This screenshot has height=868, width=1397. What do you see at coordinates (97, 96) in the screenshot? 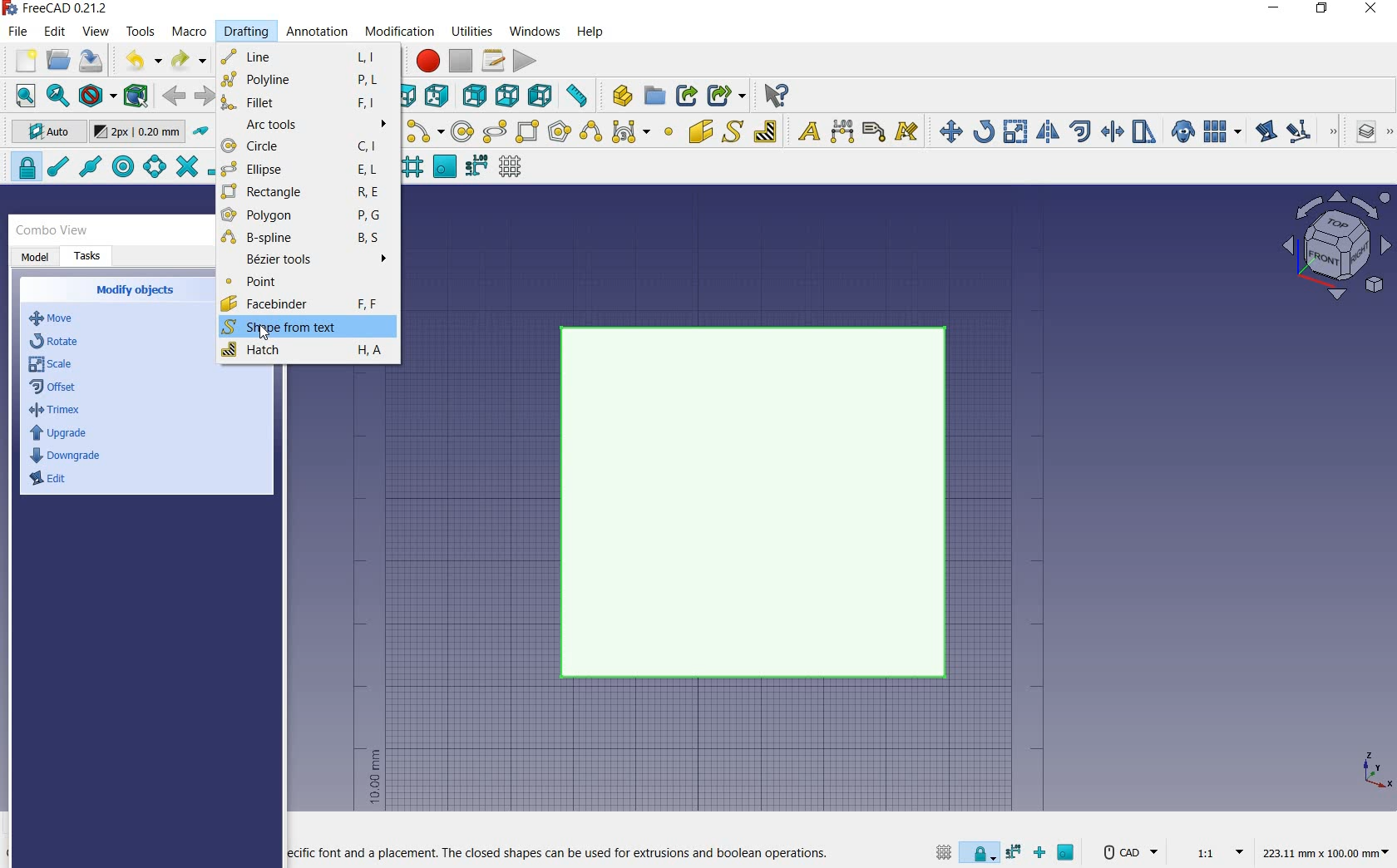
I see `draw style` at bounding box center [97, 96].